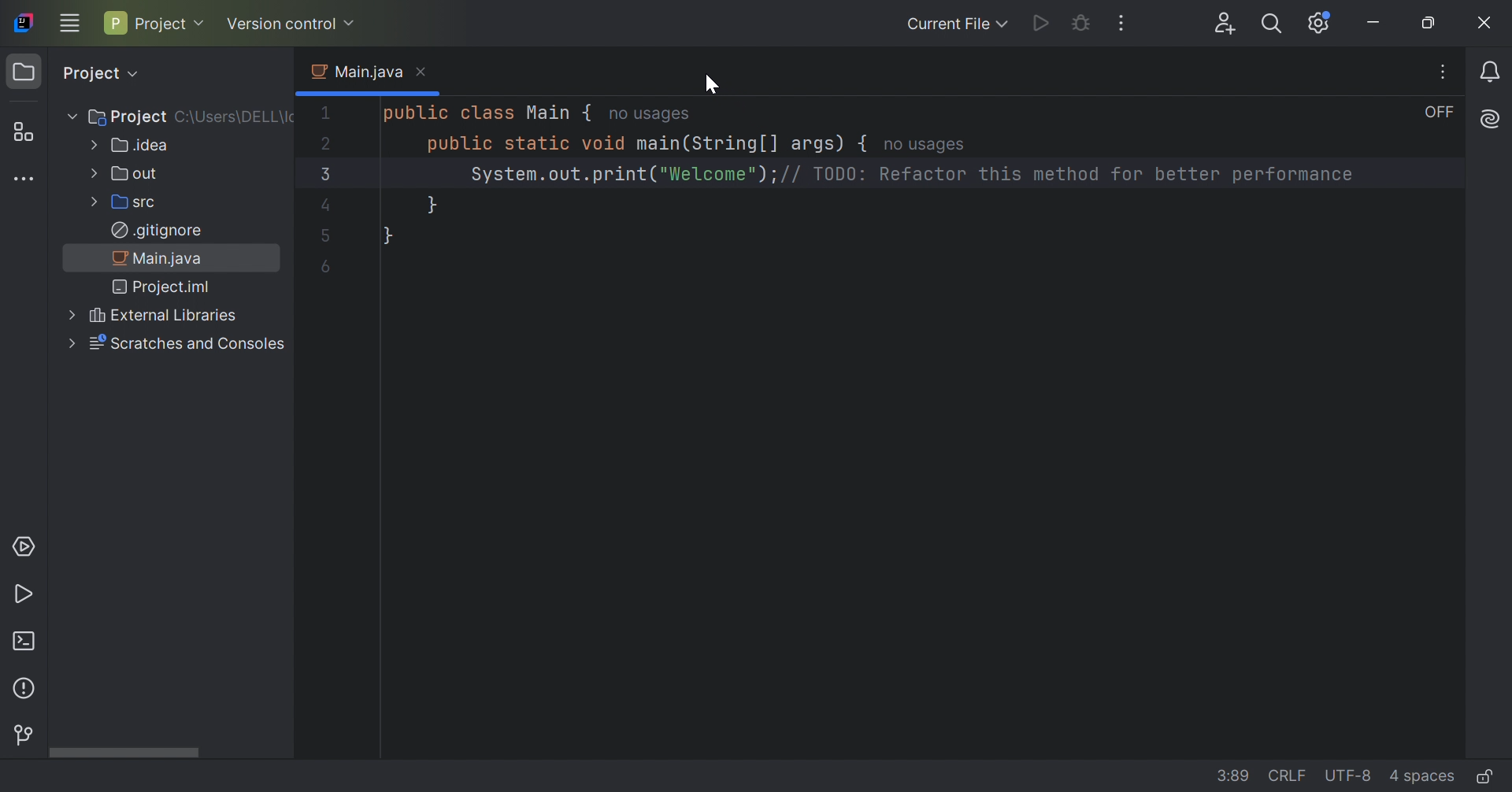 Image resolution: width=1512 pixels, height=792 pixels. What do you see at coordinates (158, 261) in the screenshot?
I see `Main.java` at bounding box center [158, 261].